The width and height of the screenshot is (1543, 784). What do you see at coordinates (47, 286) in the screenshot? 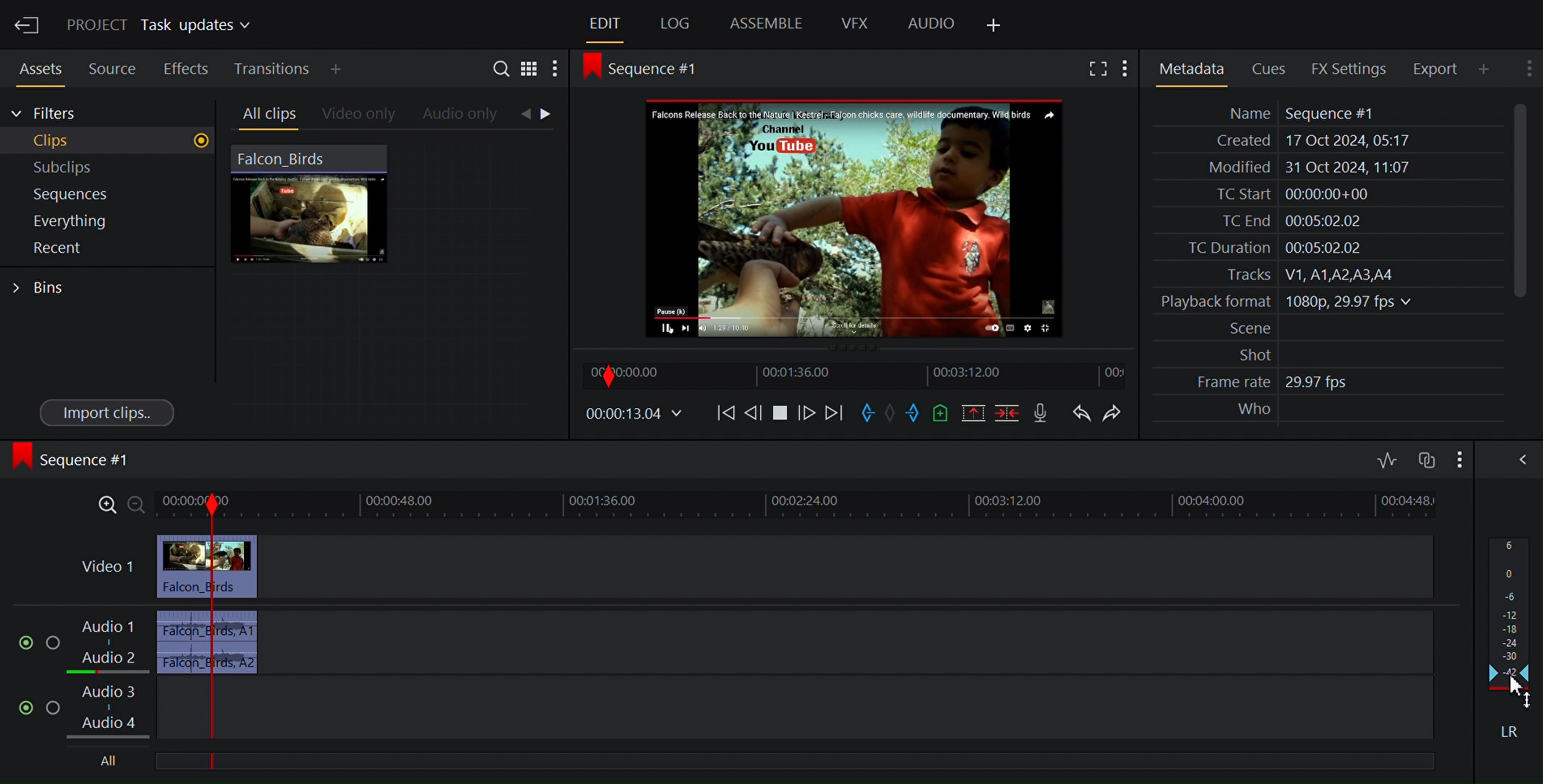
I see `Bins` at bounding box center [47, 286].